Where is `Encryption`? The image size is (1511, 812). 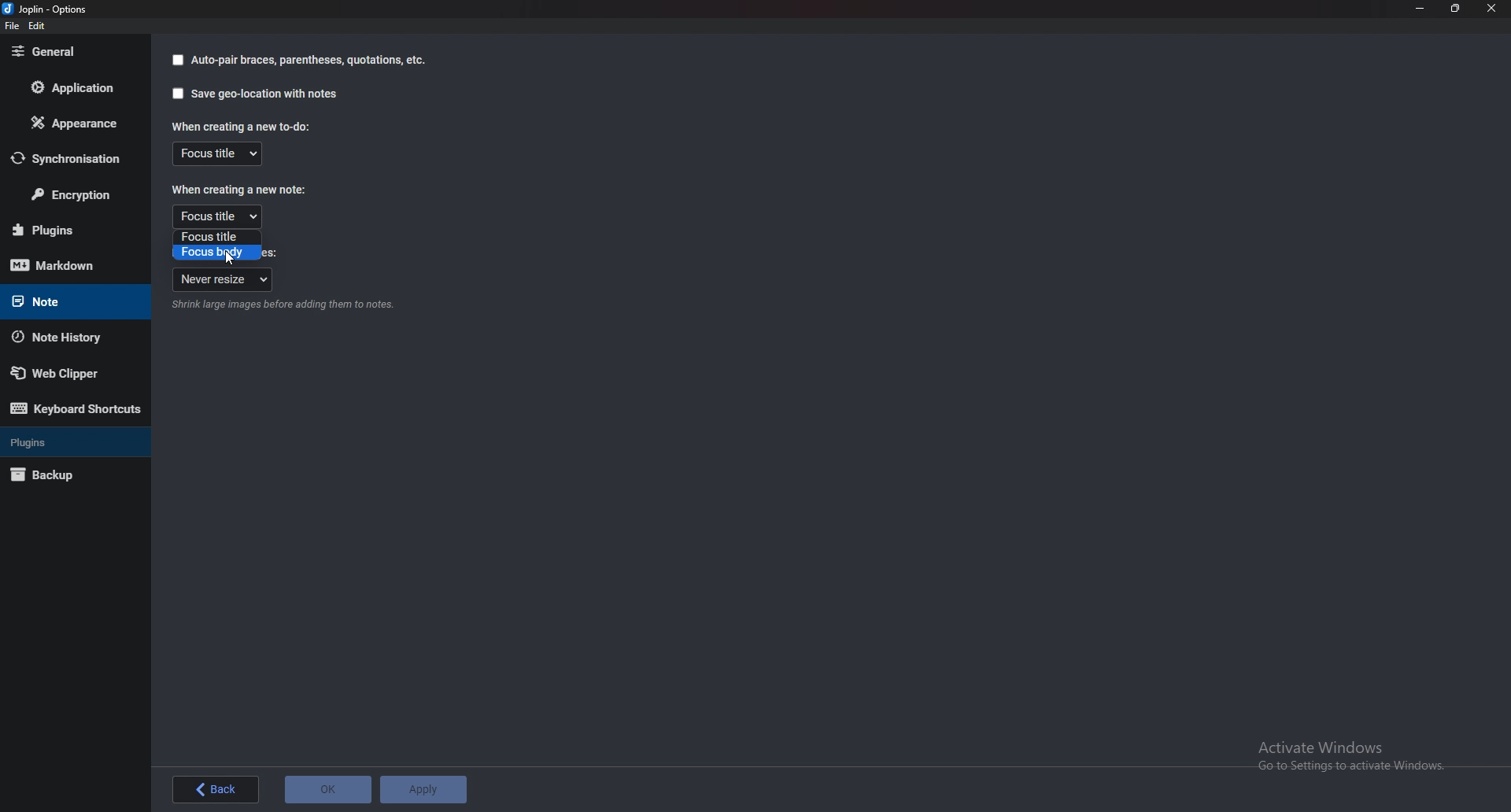 Encryption is located at coordinates (74, 196).